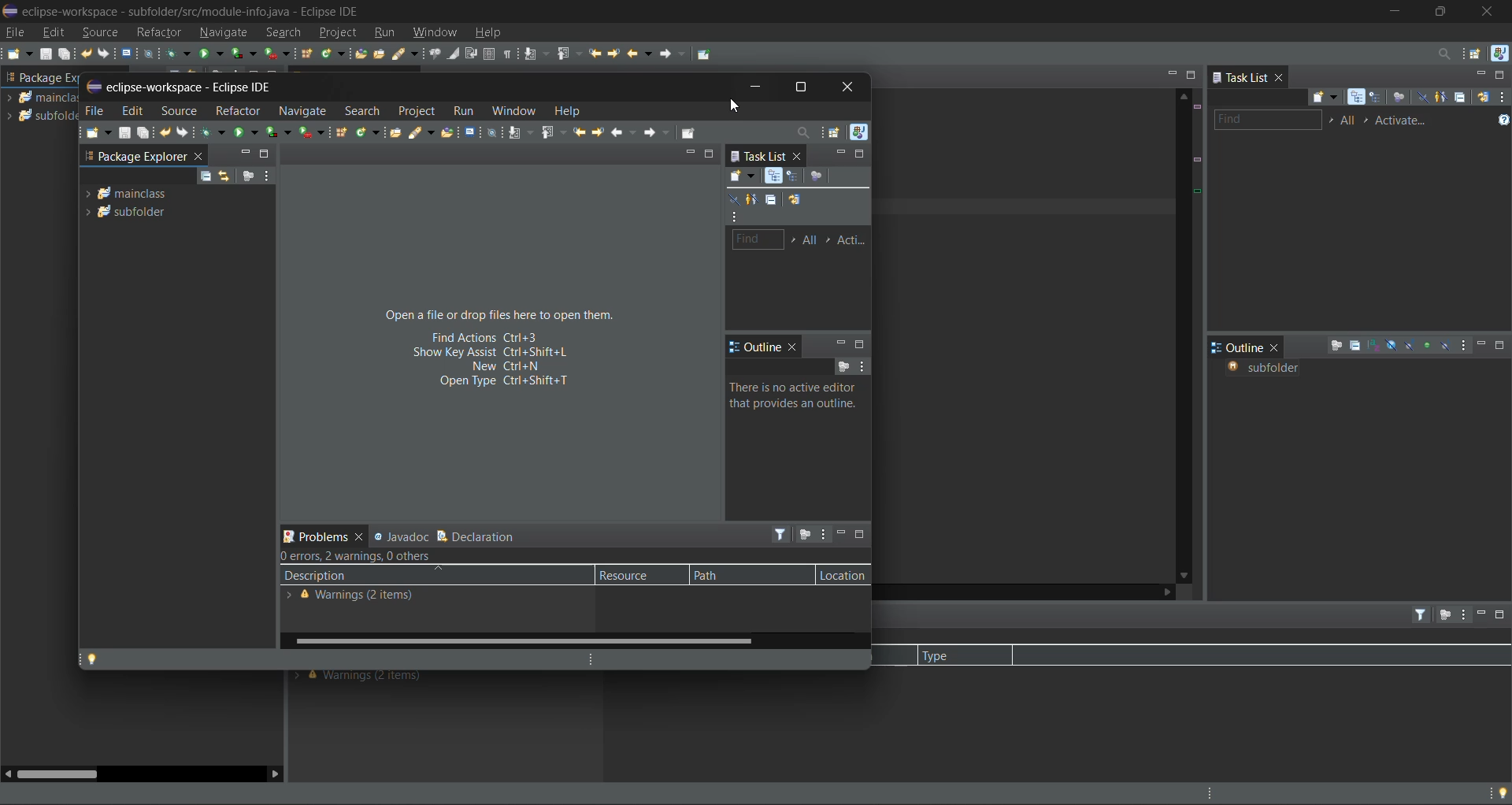  Describe the element at coordinates (102, 54) in the screenshot. I see `redo` at that location.